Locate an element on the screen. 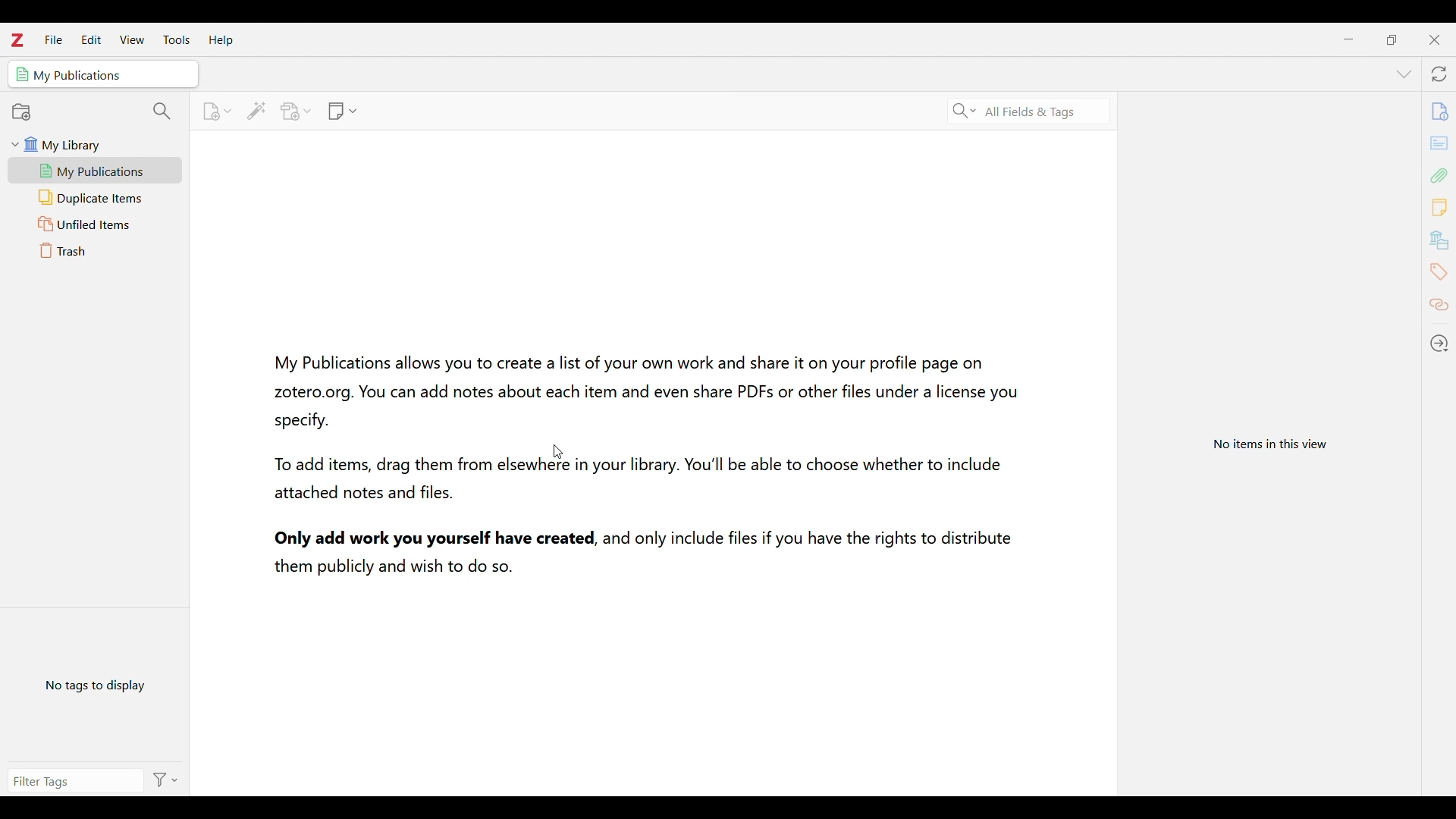  My Publications allows you to create a list of your own work and share it on your profile page onzotero.org. You can add notes about each item and even share PDFs or other files under a license you specify. To add items, drag  them from elsewhere in your library. You'll be able to choose whether to include attached notes and files. Only add work you yourself have created, and only include files if you have the rights to distribute, them publicly and wish to do so. is located at coordinates (634, 466).